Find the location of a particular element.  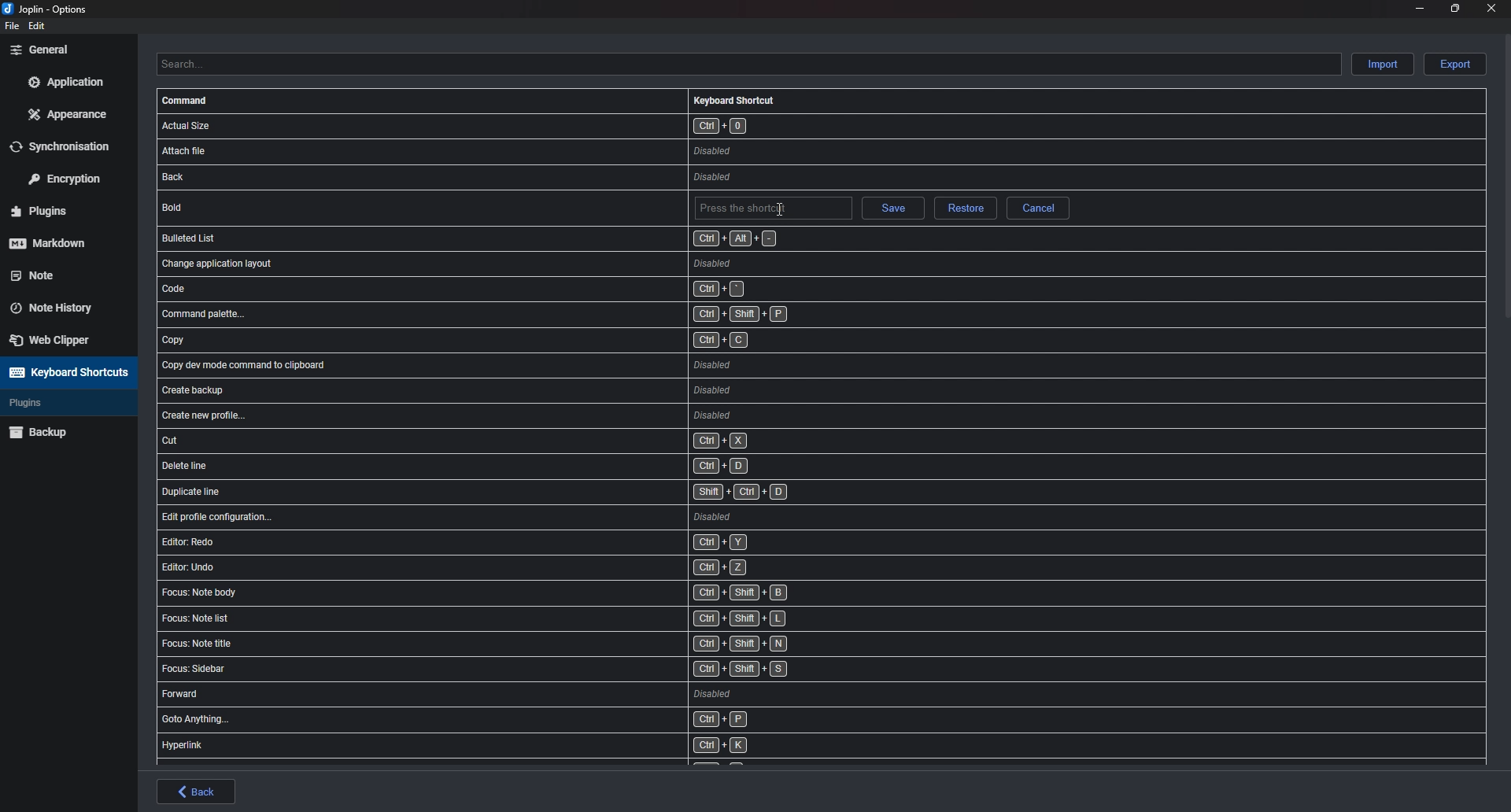

shortcut is located at coordinates (530, 342).